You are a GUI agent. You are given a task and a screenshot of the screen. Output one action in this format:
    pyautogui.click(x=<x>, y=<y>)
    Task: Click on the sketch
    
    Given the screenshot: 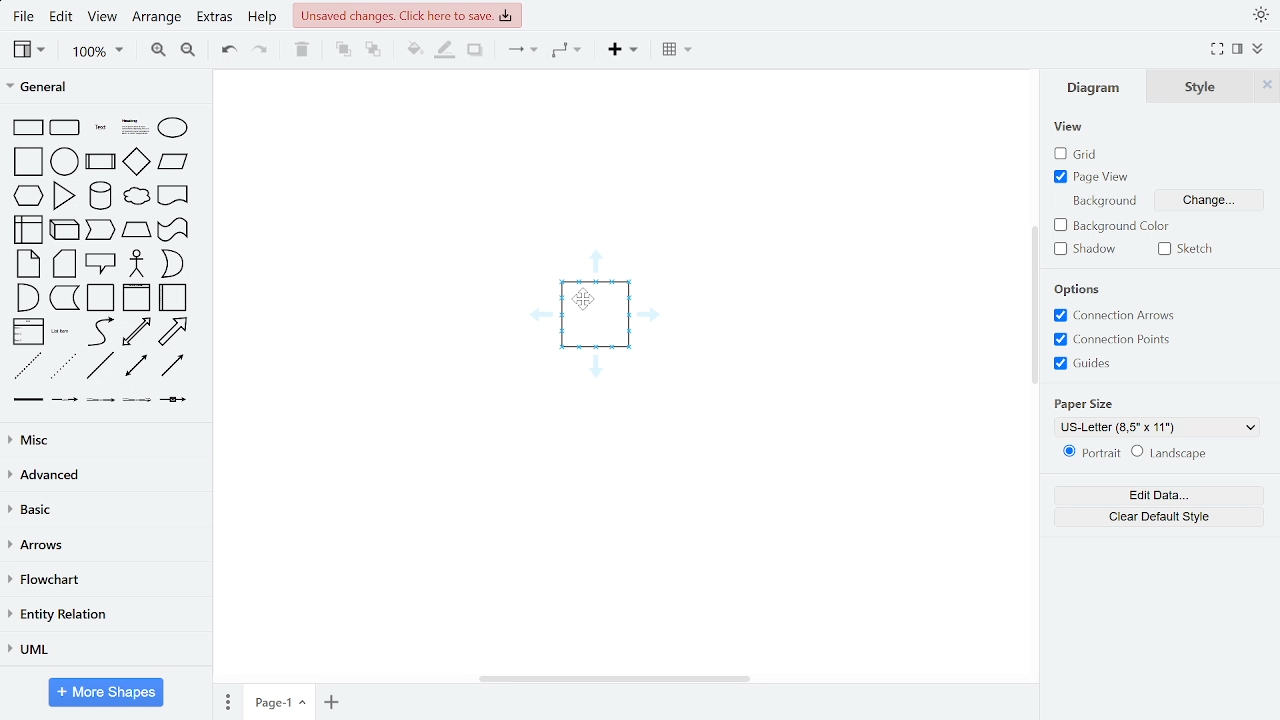 What is the action you would take?
    pyautogui.click(x=1186, y=251)
    